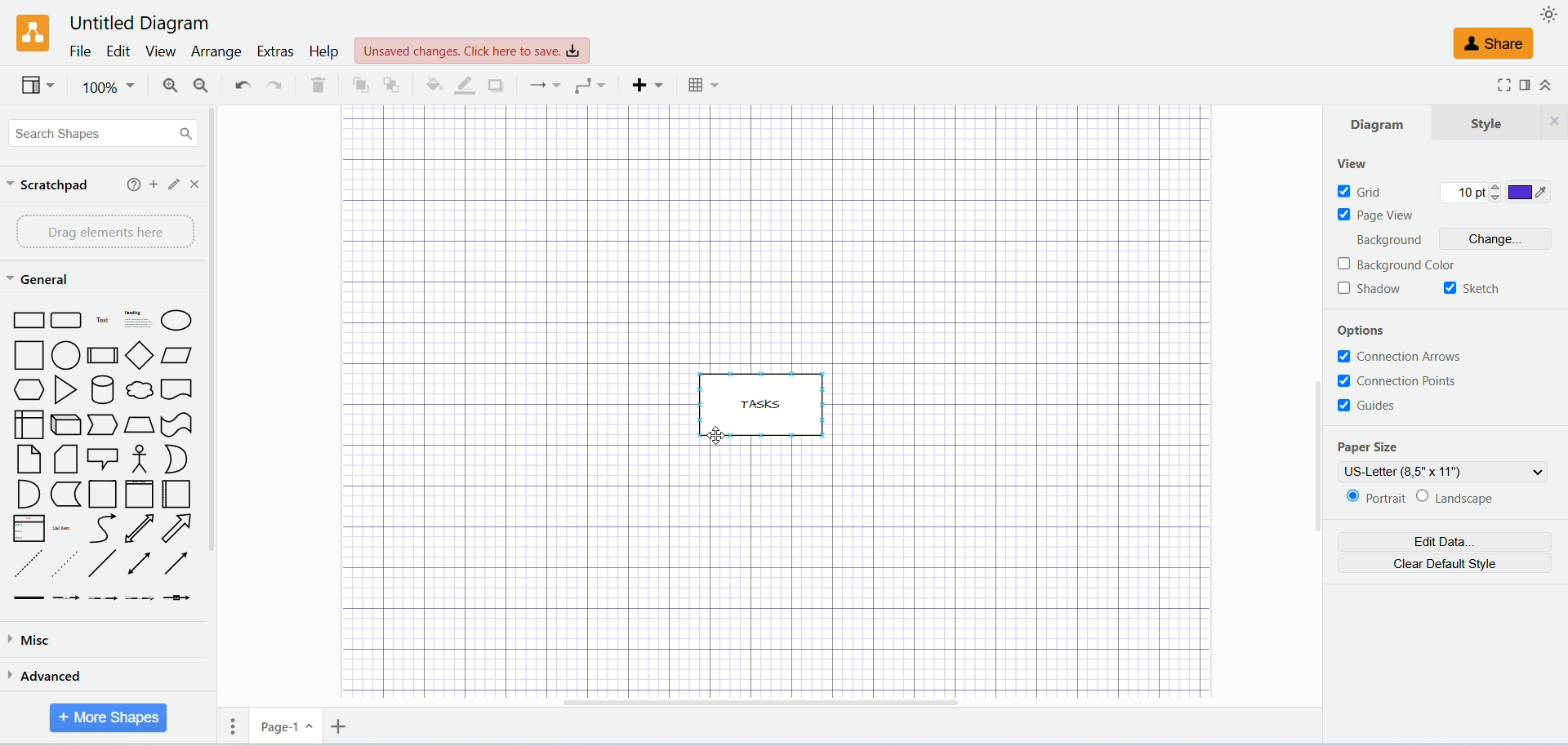 The height and width of the screenshot is (746, 1568). I want to click on help, so click(132, 184).